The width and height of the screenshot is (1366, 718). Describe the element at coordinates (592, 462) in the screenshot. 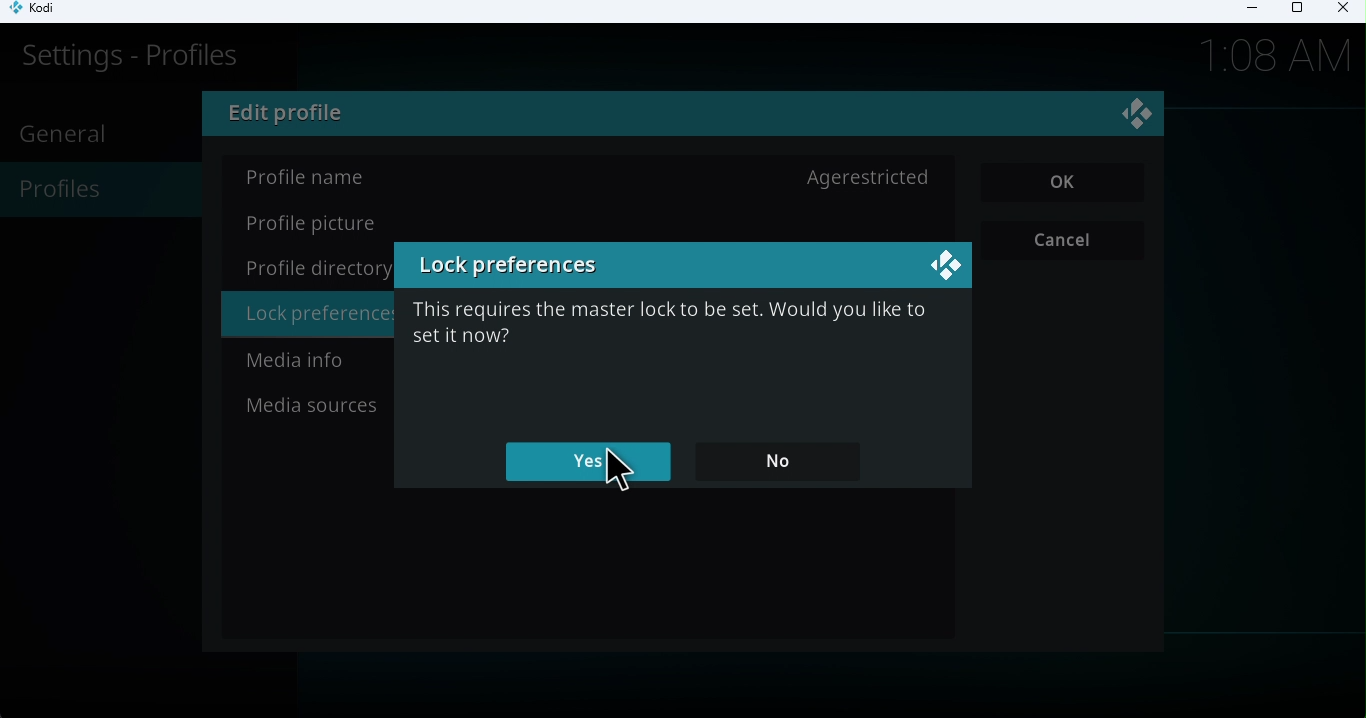

I see `Yes` at that location.